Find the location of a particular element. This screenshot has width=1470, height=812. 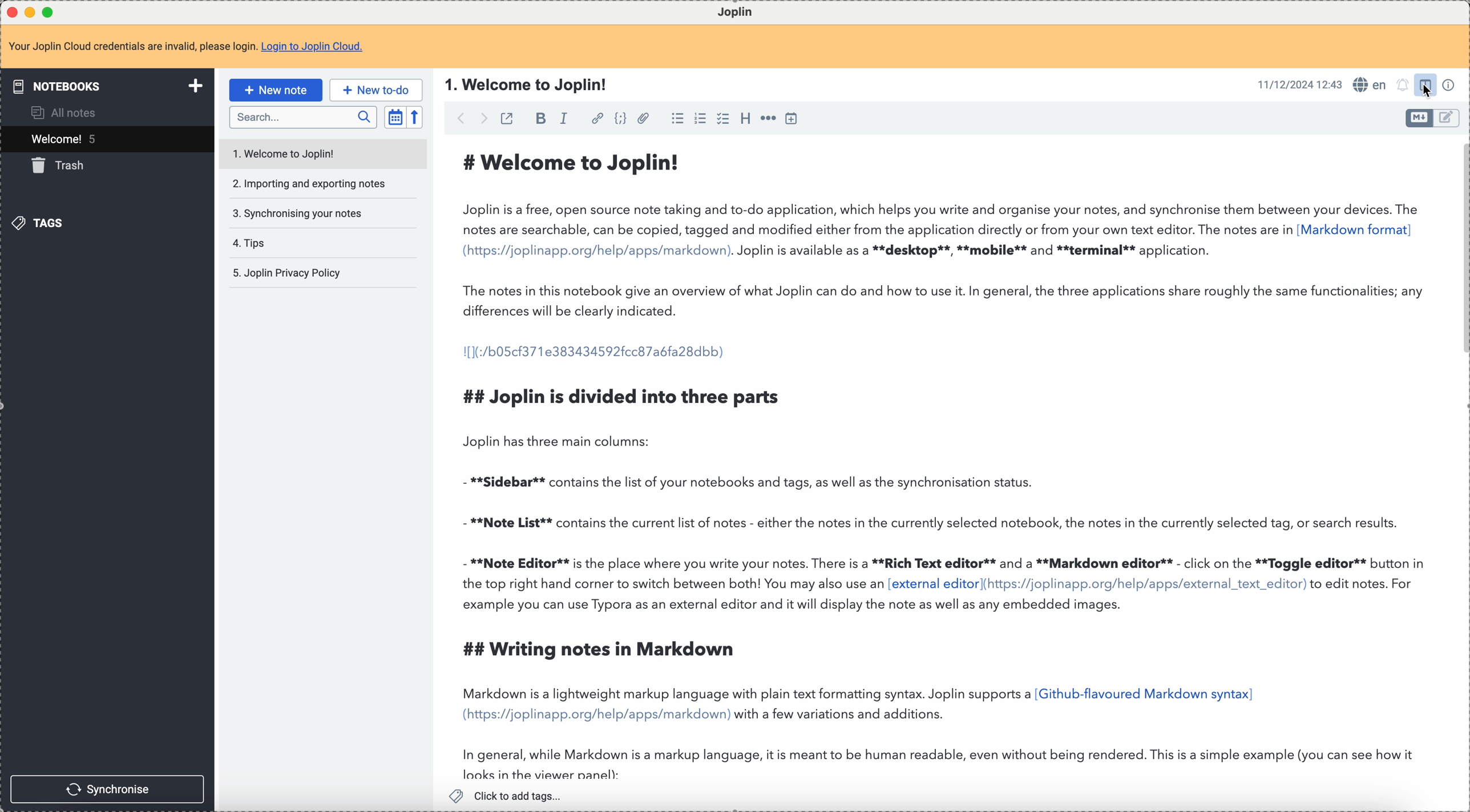

the top right hand corner to switch between both! You may also use an [external editor] is located at coordinates (720, 583).